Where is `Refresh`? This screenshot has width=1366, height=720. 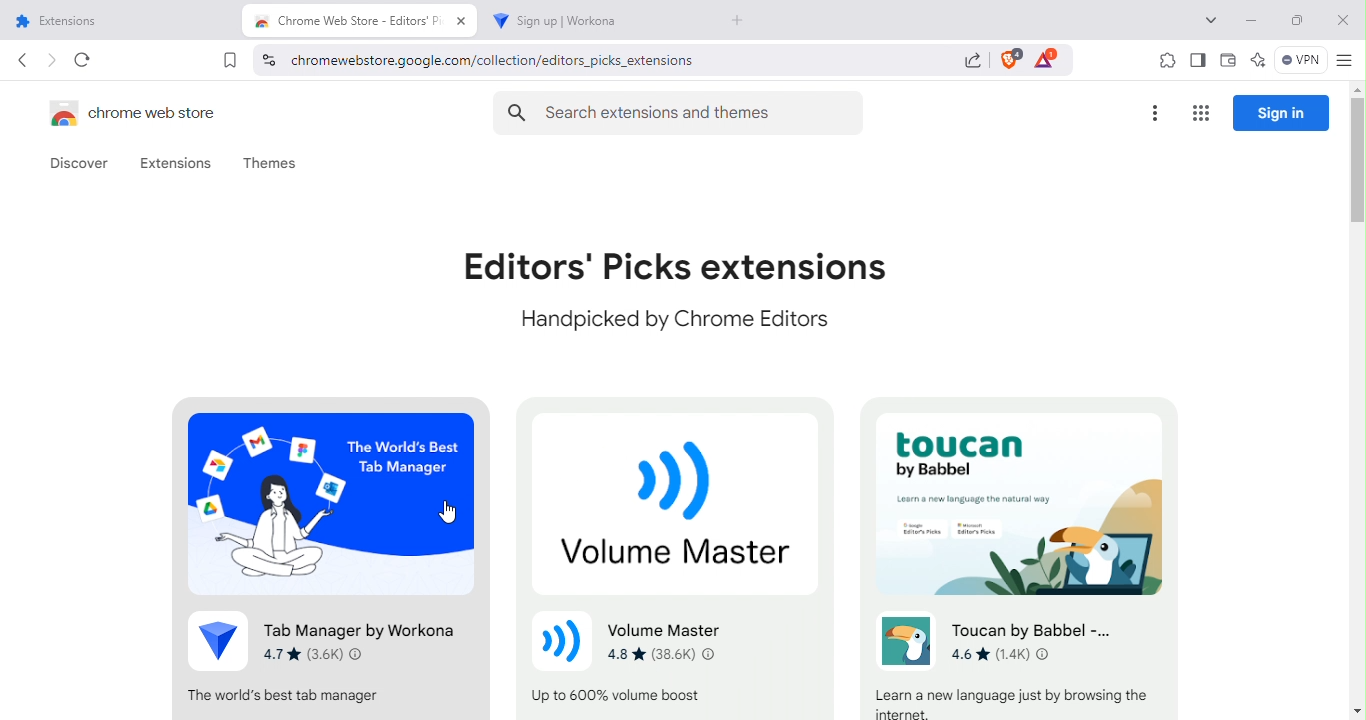
Refresh is located at coordinates (85, 60).